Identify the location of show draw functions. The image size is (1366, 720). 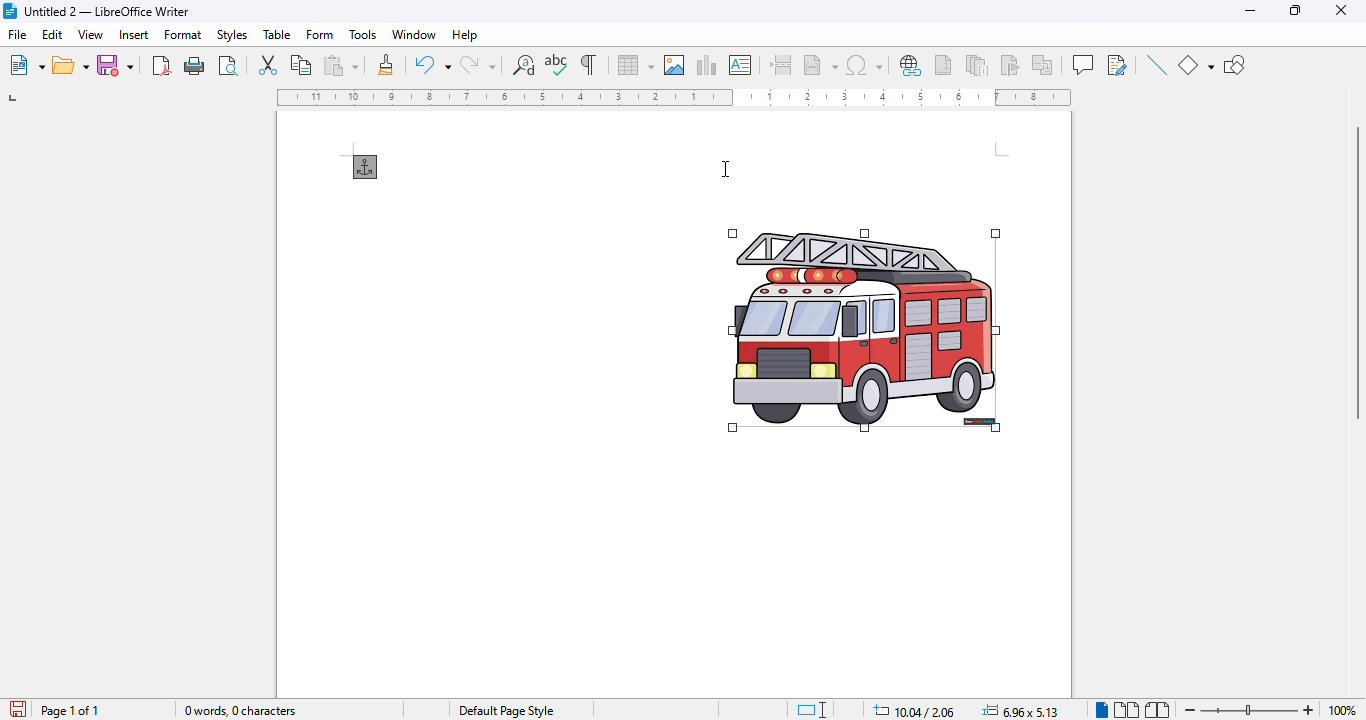
(1235, 66).